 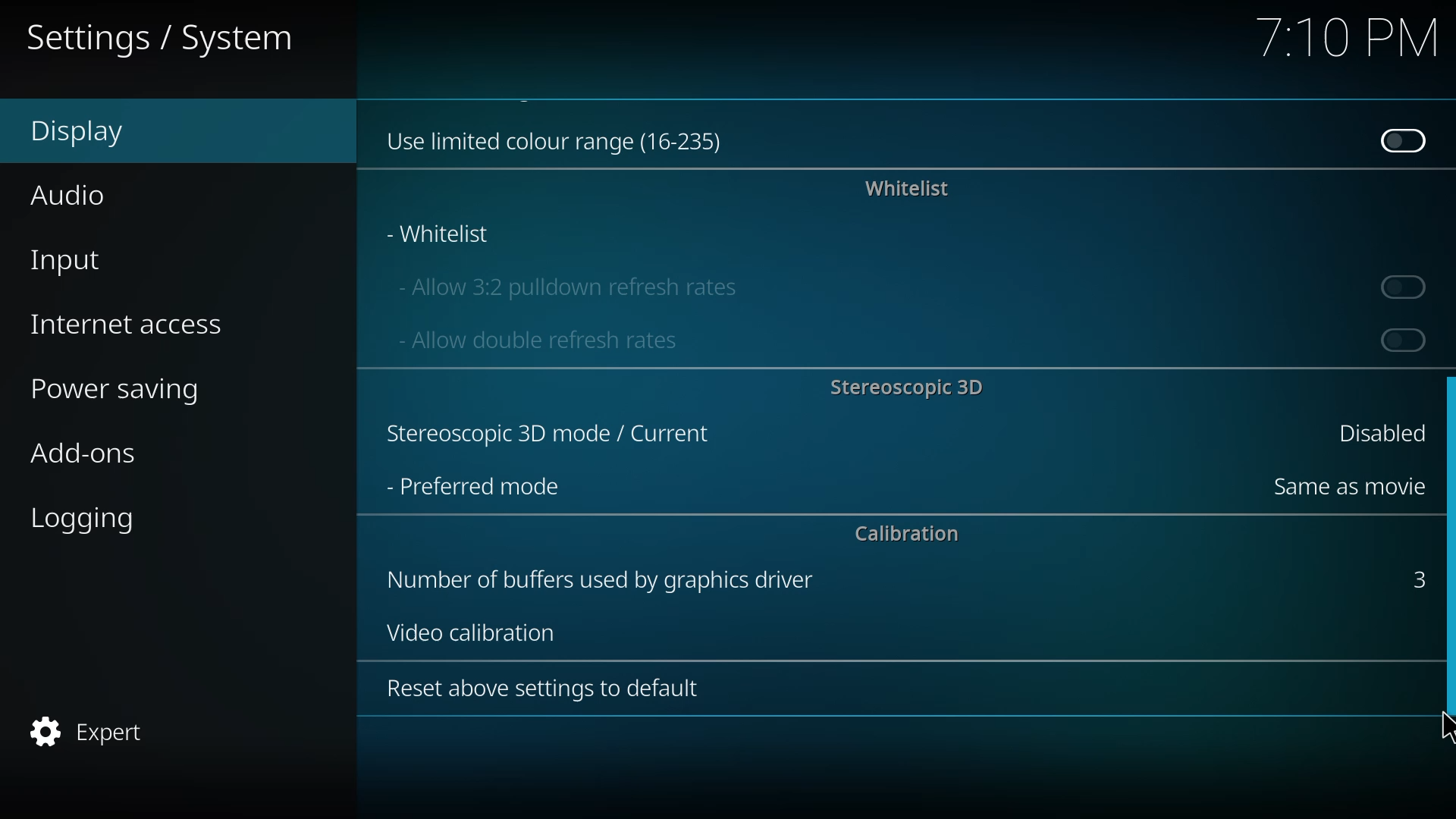 I want to click on input, so click(x=74, y=259).